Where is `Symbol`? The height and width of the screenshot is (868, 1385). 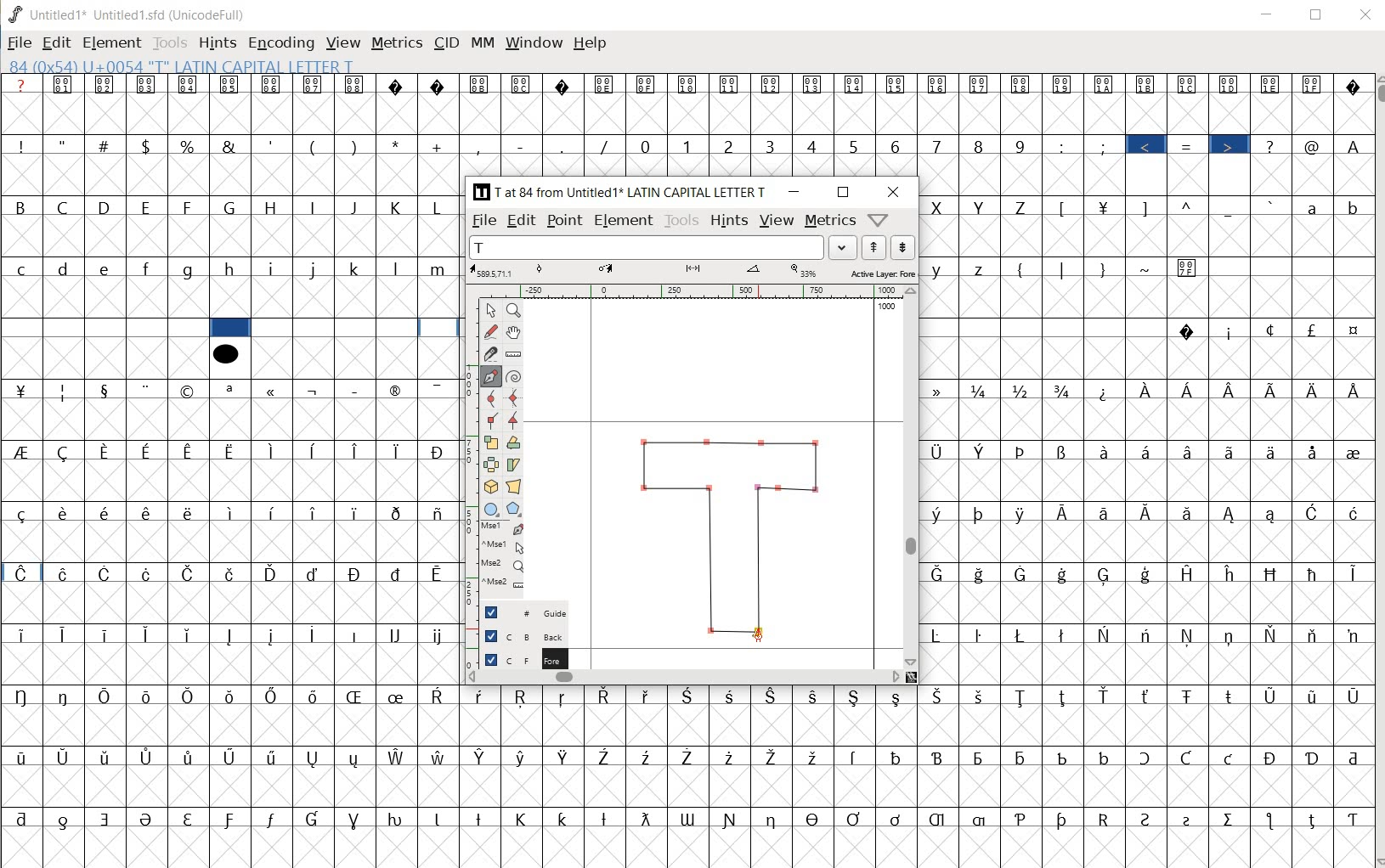 Symbol is located at coordinates (856, 817).